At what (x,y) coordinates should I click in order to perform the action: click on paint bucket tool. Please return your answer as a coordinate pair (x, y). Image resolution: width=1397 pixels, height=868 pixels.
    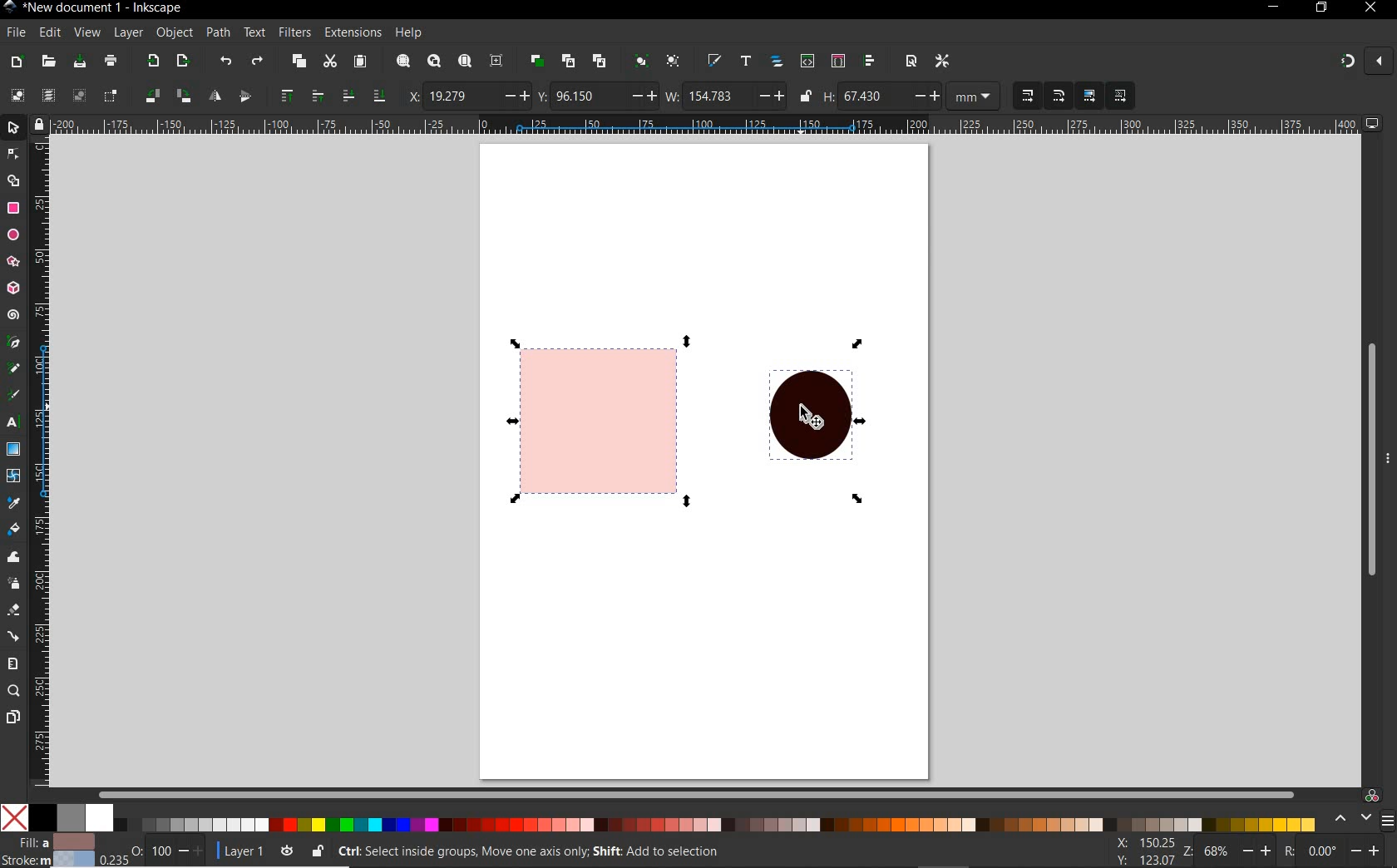
    Looking at the image, I should click on (13, 528).